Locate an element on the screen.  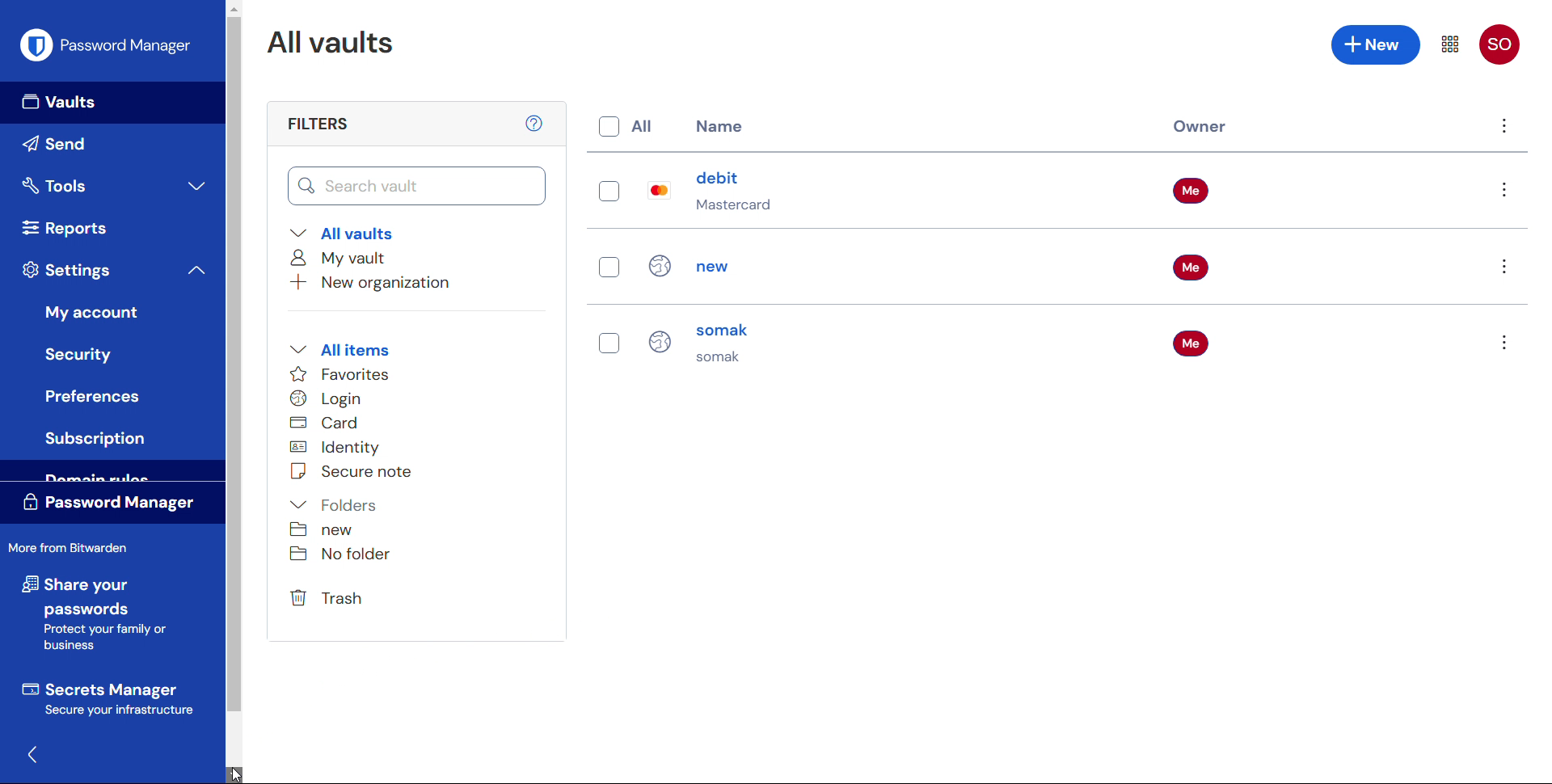
More from Bit Warden is located at coordinates (71, 549).